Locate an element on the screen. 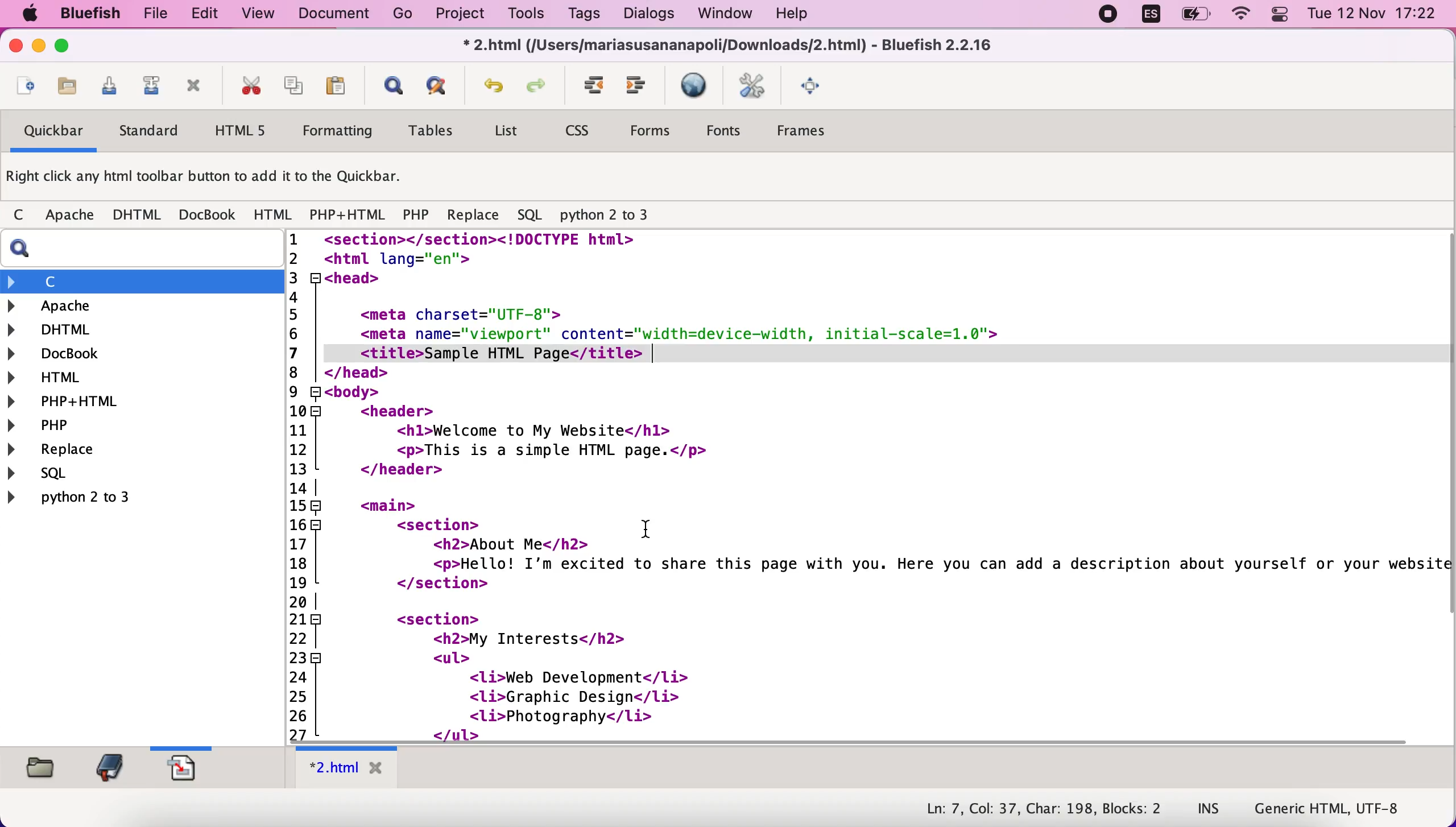 The image size is (1456, 827). save current file is located at coordinates (111, 86).